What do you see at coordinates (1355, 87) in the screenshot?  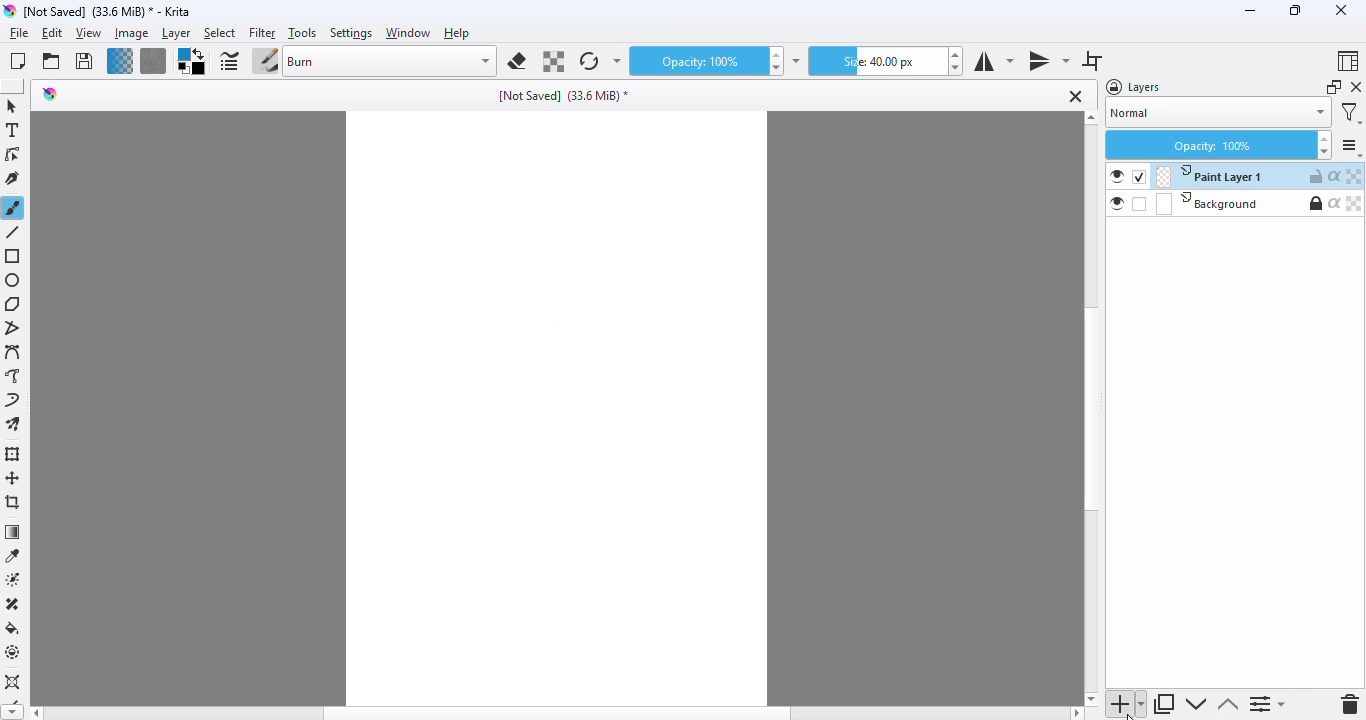 I see `close docker` at bounding box center [1355, 87].